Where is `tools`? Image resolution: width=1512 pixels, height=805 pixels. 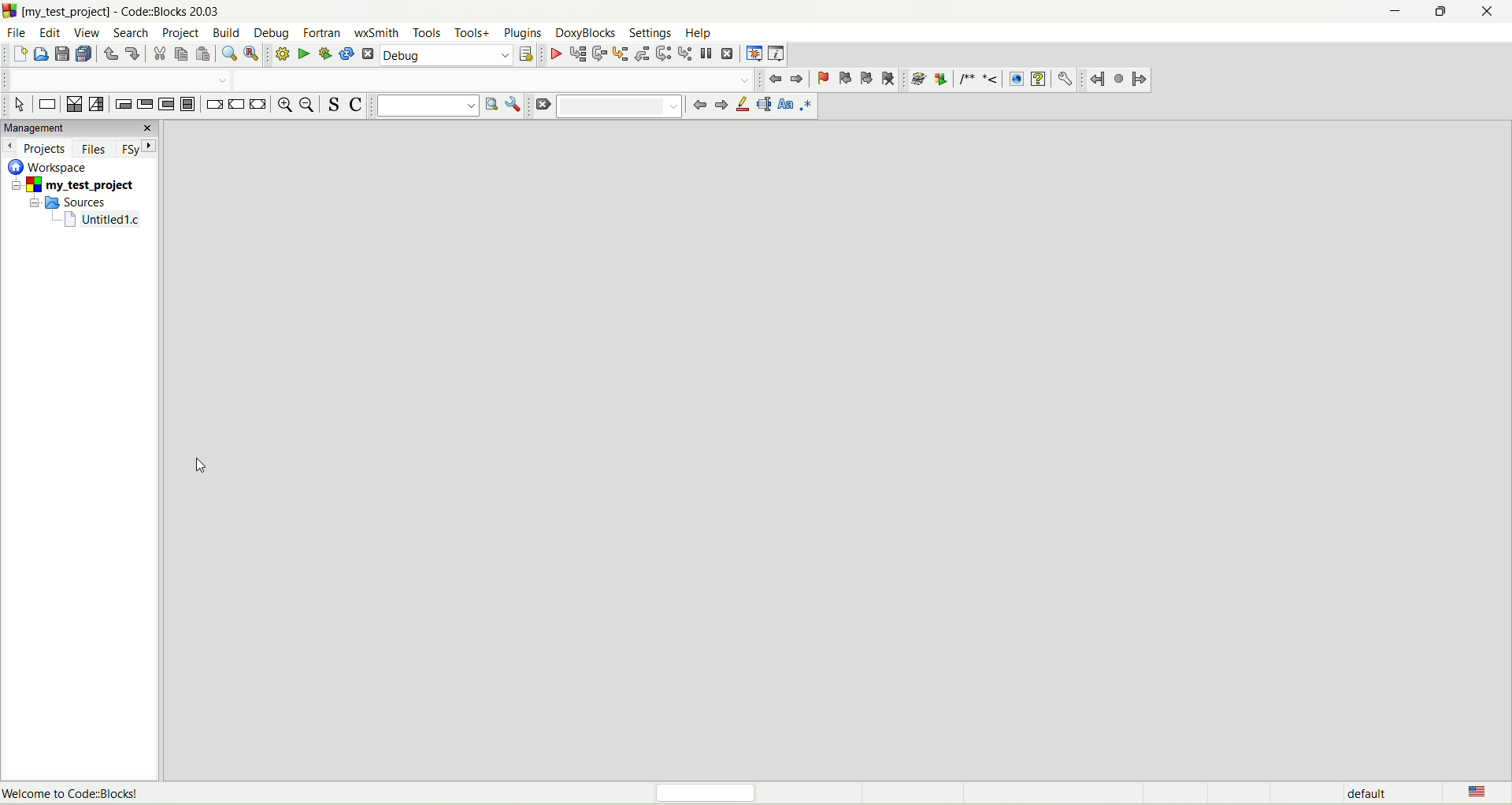
tools is located at coordinates (425, 32).